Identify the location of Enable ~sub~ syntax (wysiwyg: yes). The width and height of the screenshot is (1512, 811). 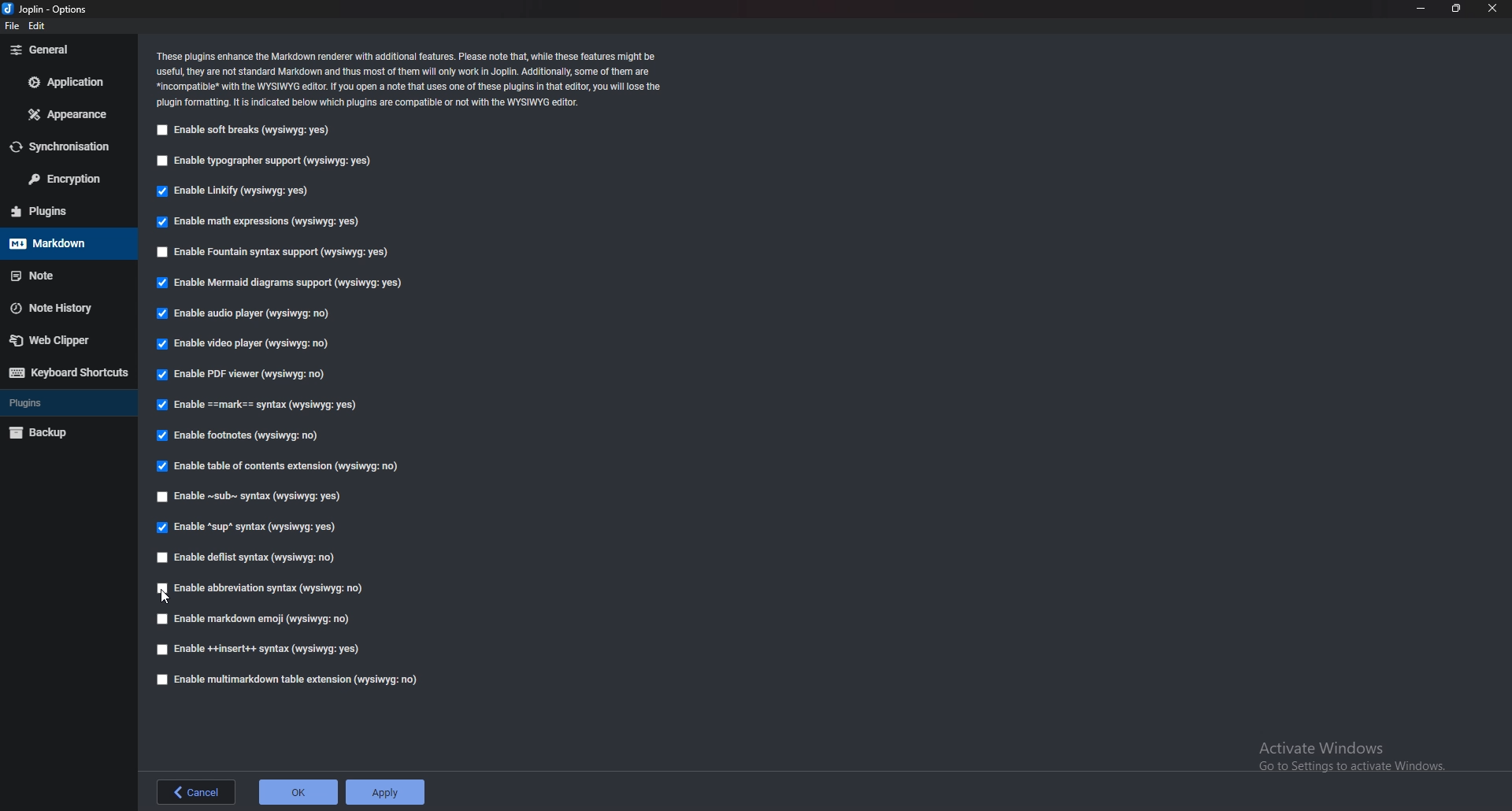
(254, 495).